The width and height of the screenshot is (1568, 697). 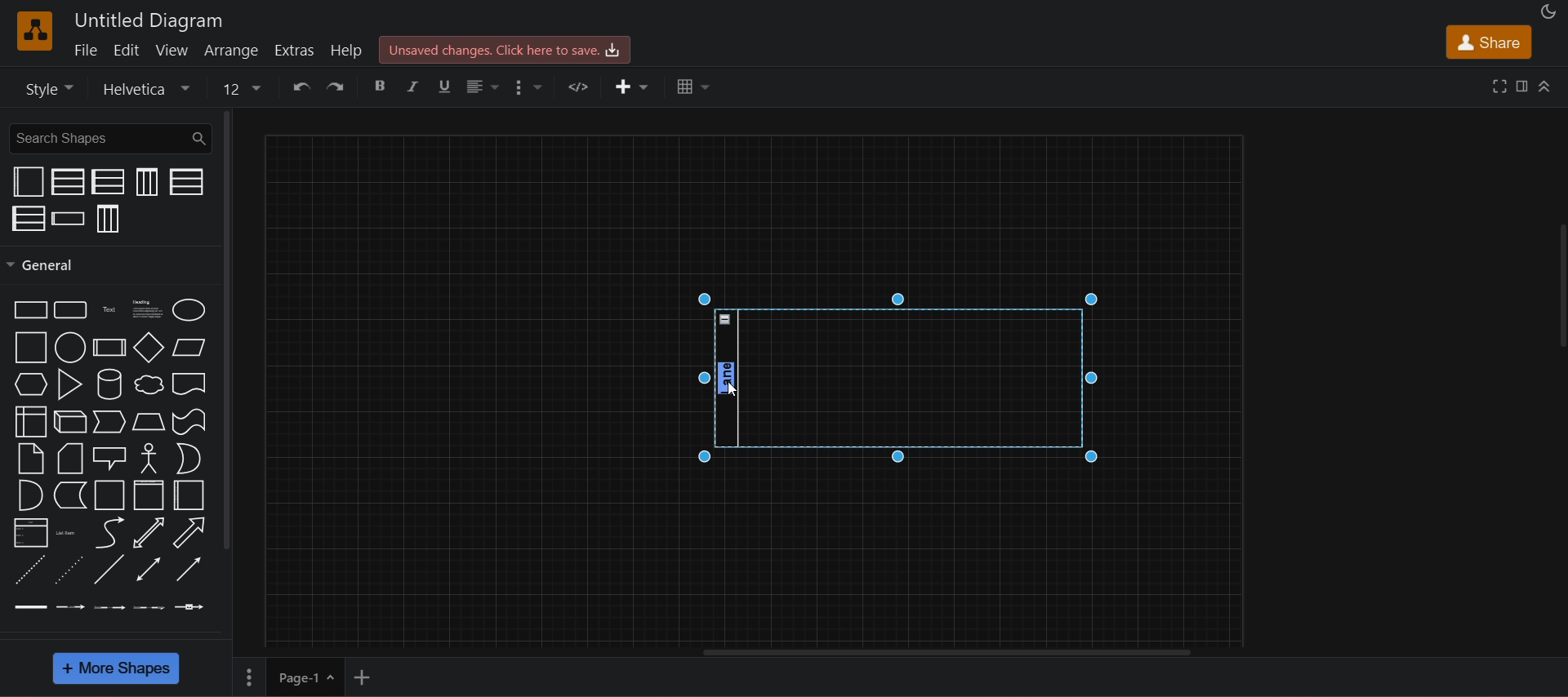 I want to click on ellipse, so click(x=189, y=309).